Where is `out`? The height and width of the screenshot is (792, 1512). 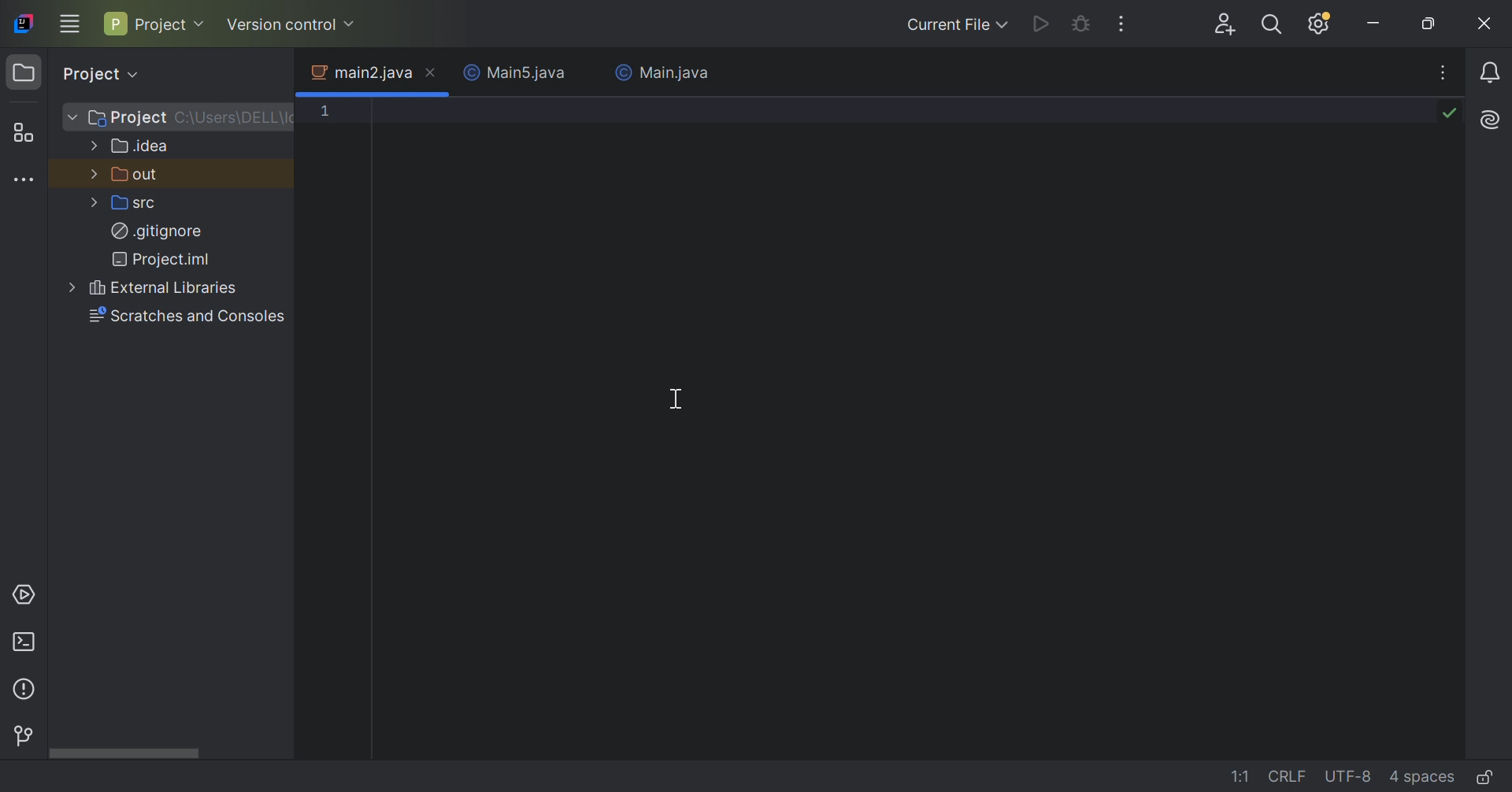 out is located at coordinates (137, 174).